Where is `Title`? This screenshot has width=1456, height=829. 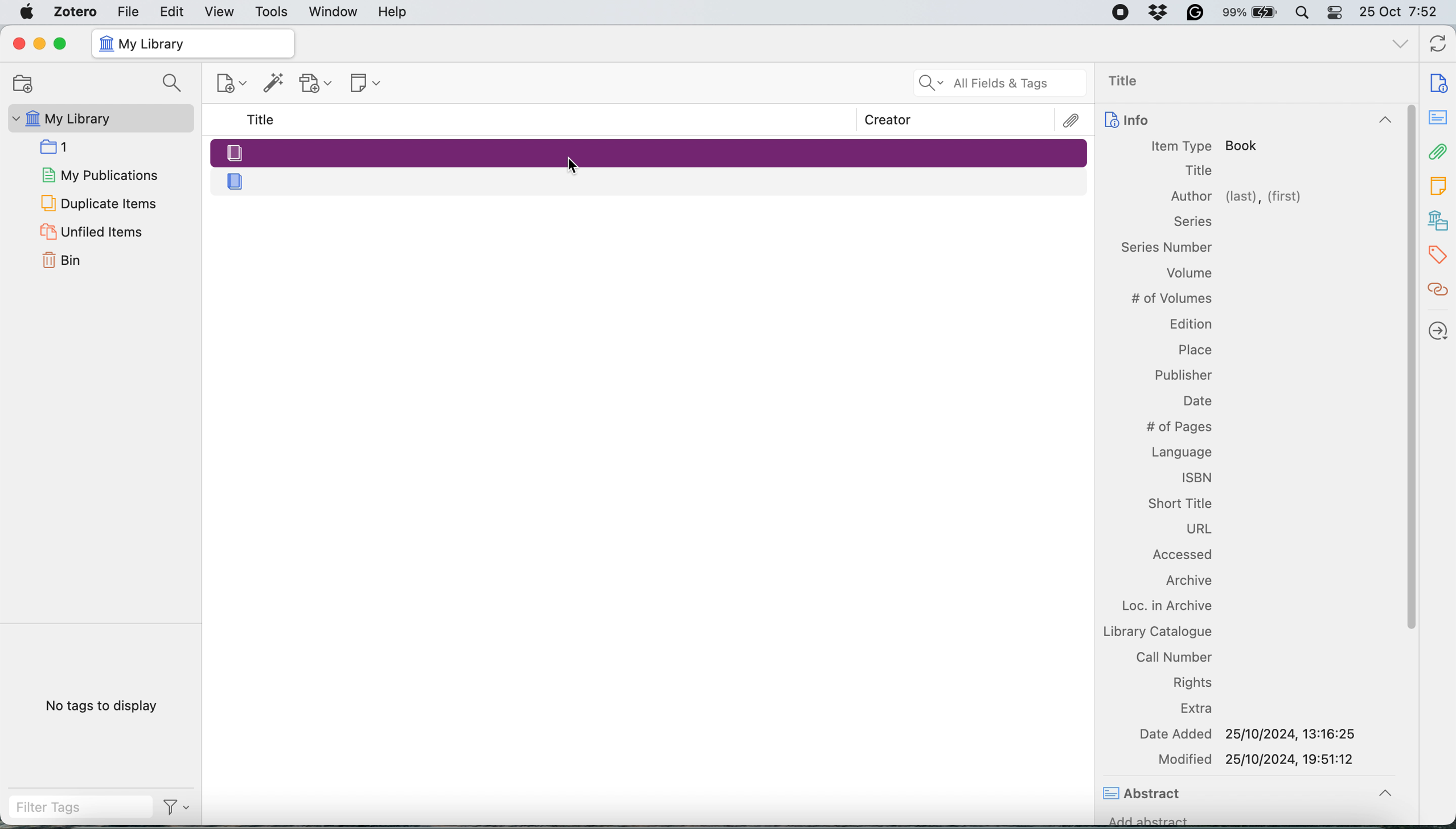 Title is located at coordinates (263, 120).